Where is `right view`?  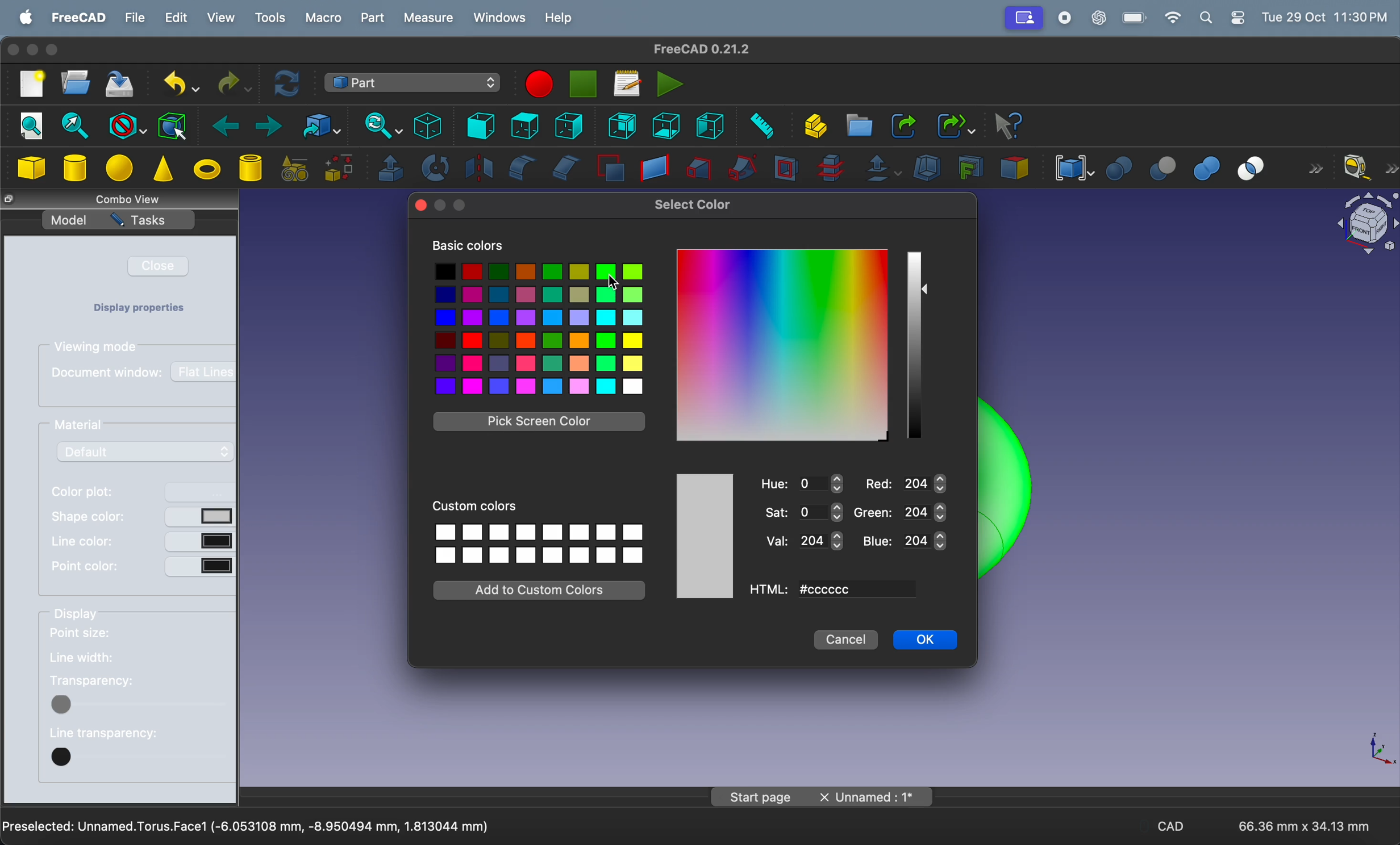 right view is located at coordinates (568, 126).